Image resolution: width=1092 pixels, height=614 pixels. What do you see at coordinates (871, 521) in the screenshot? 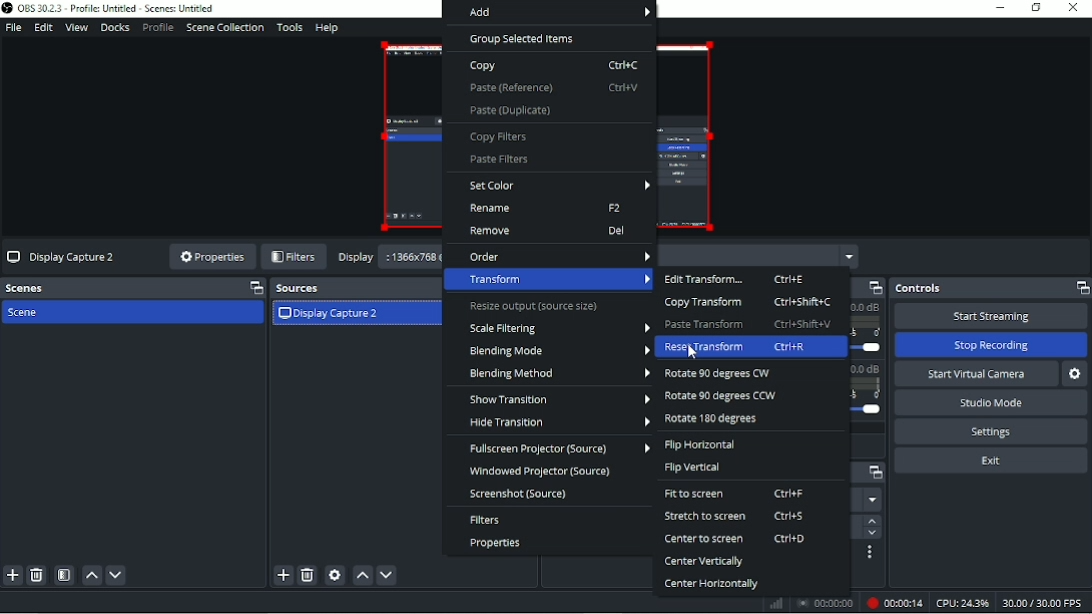
I see `Up arrow` at bounding box center [871, 521].